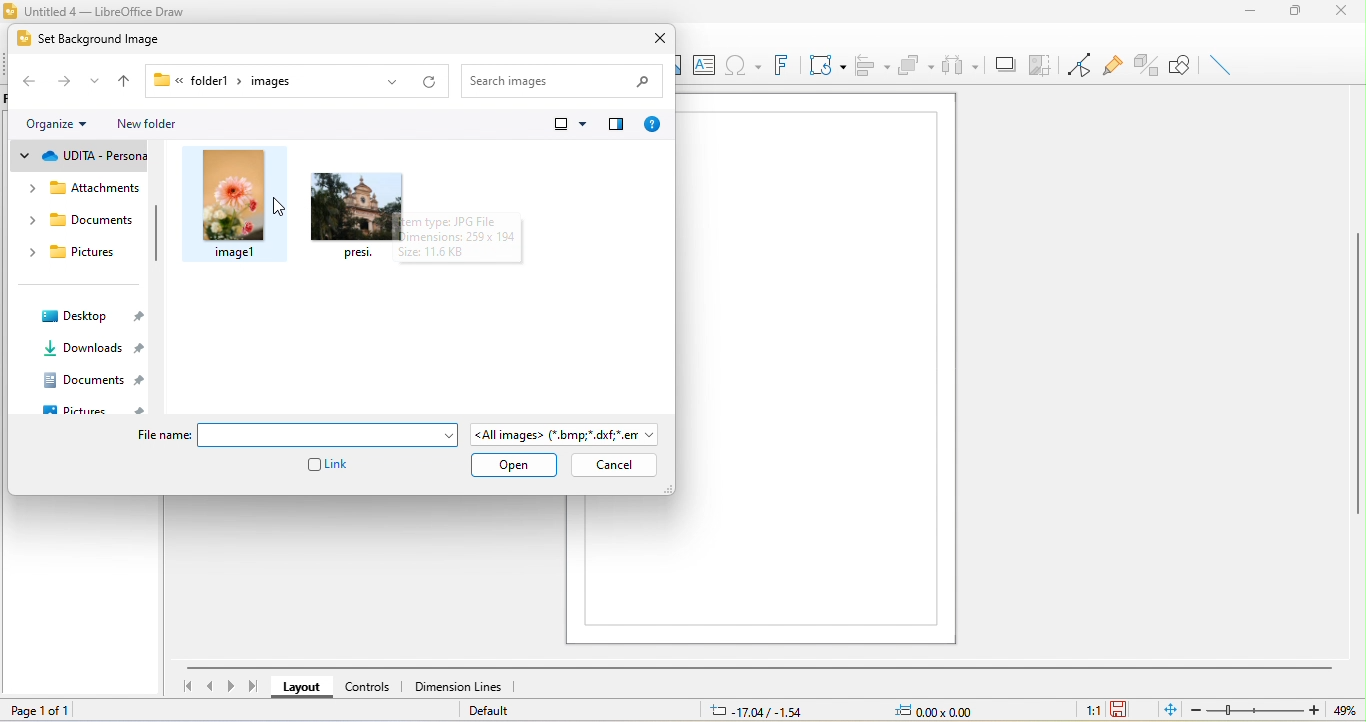 The image size is (1366, 722). What do you see at coordinates (91, 82) in the screenshot?
I see `recent location` at bounding box center [91, 82].